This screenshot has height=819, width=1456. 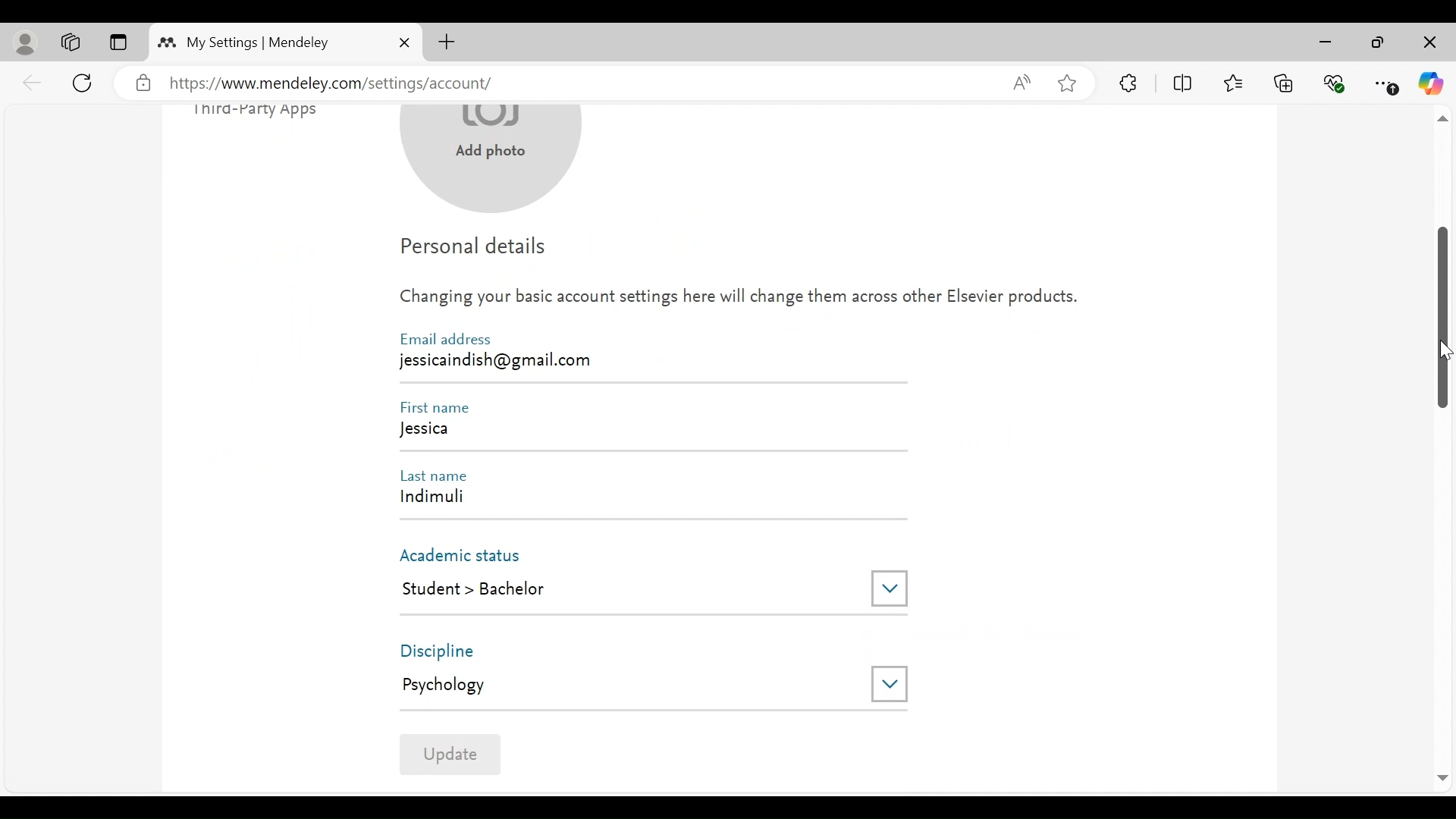 I want to click on Workspaces, so click(x=71, y=42).